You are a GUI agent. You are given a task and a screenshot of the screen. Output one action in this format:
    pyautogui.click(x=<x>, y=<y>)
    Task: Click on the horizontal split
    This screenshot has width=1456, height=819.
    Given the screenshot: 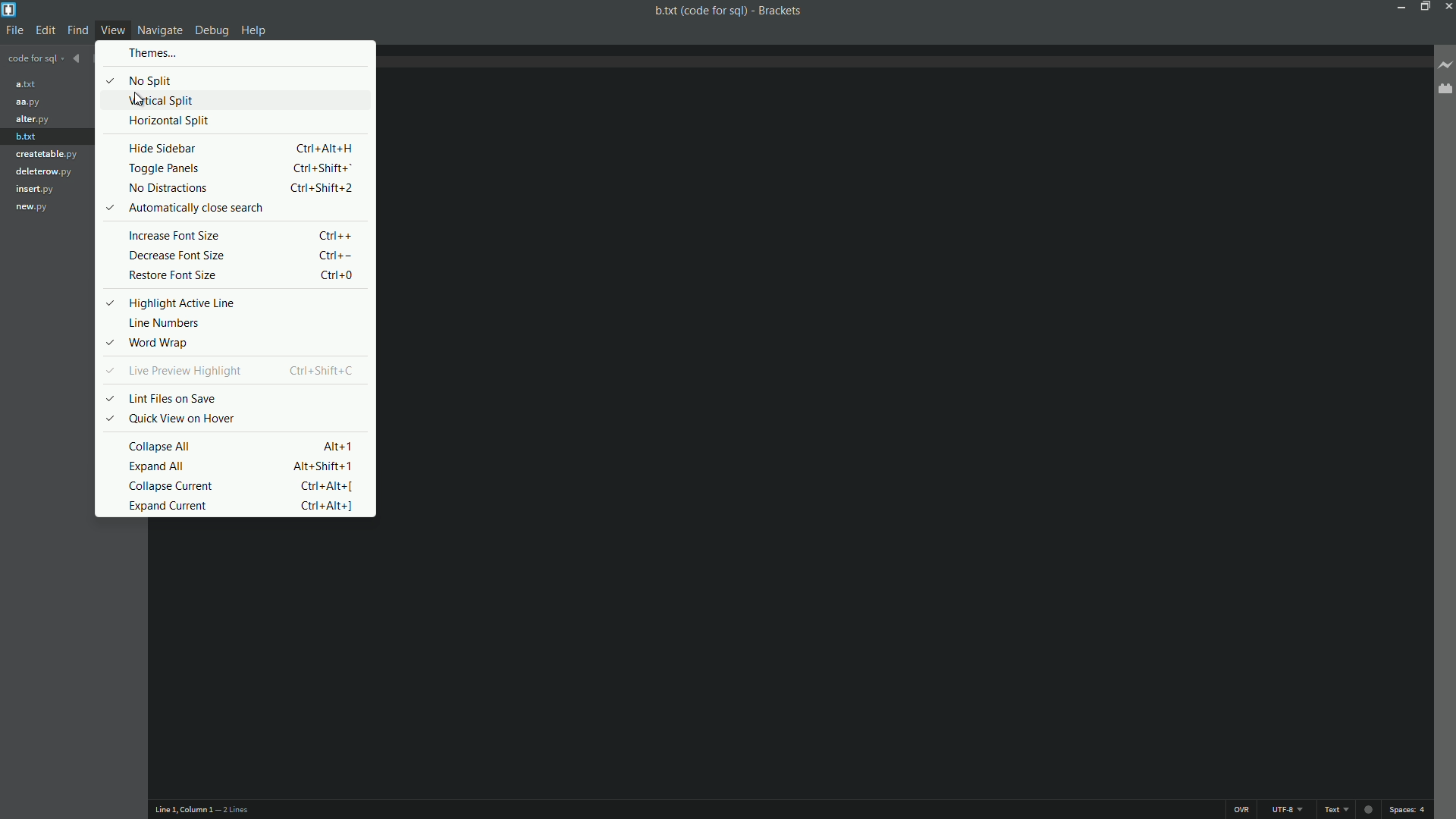 What is the action you would take?
    pyautogui.click(x=240, y=119)
    